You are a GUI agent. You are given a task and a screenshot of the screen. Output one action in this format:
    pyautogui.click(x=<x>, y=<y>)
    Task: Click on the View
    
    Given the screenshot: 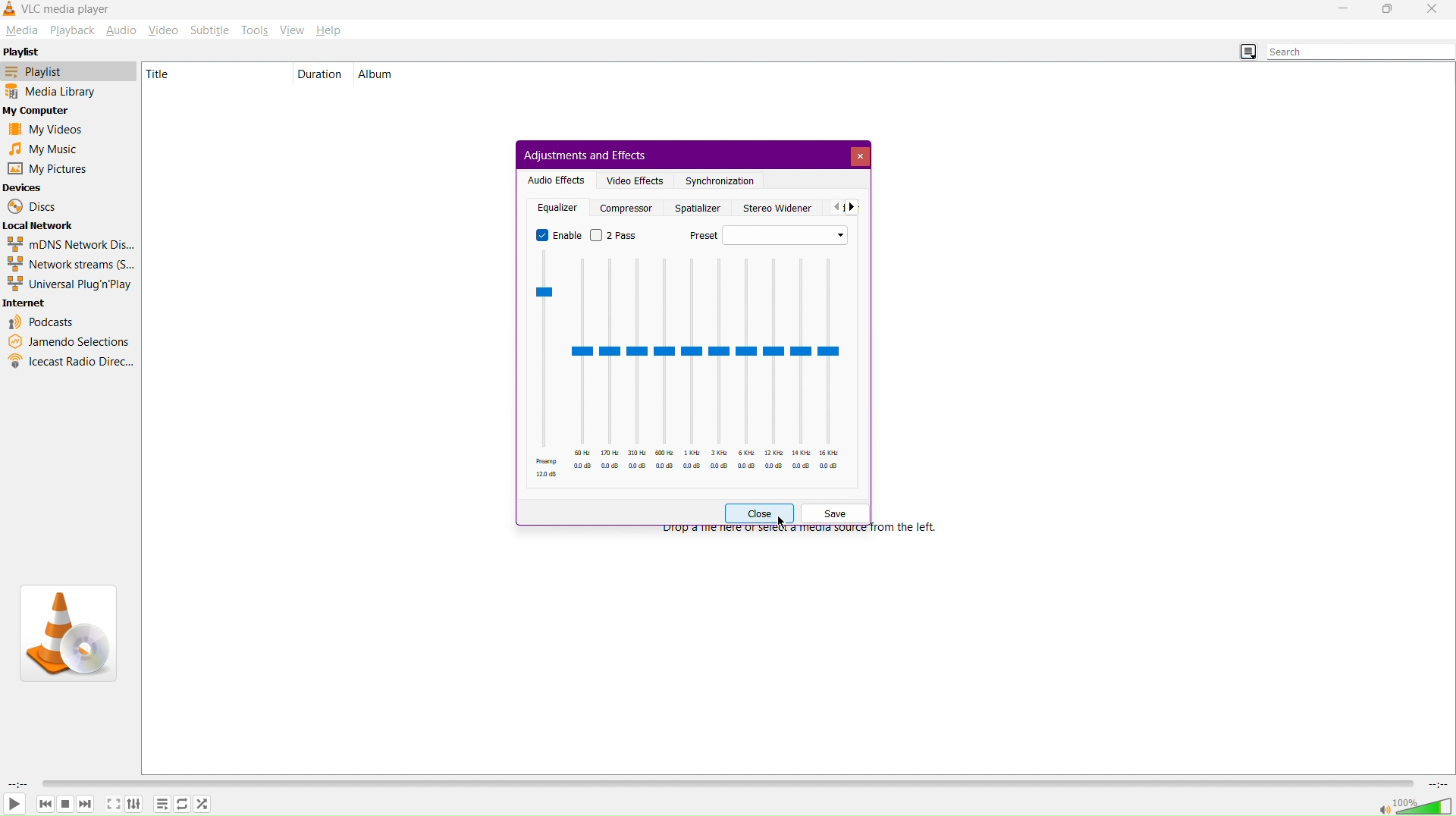 What is the action you would take?
    pyautogui.click(x=293, y=29)
    